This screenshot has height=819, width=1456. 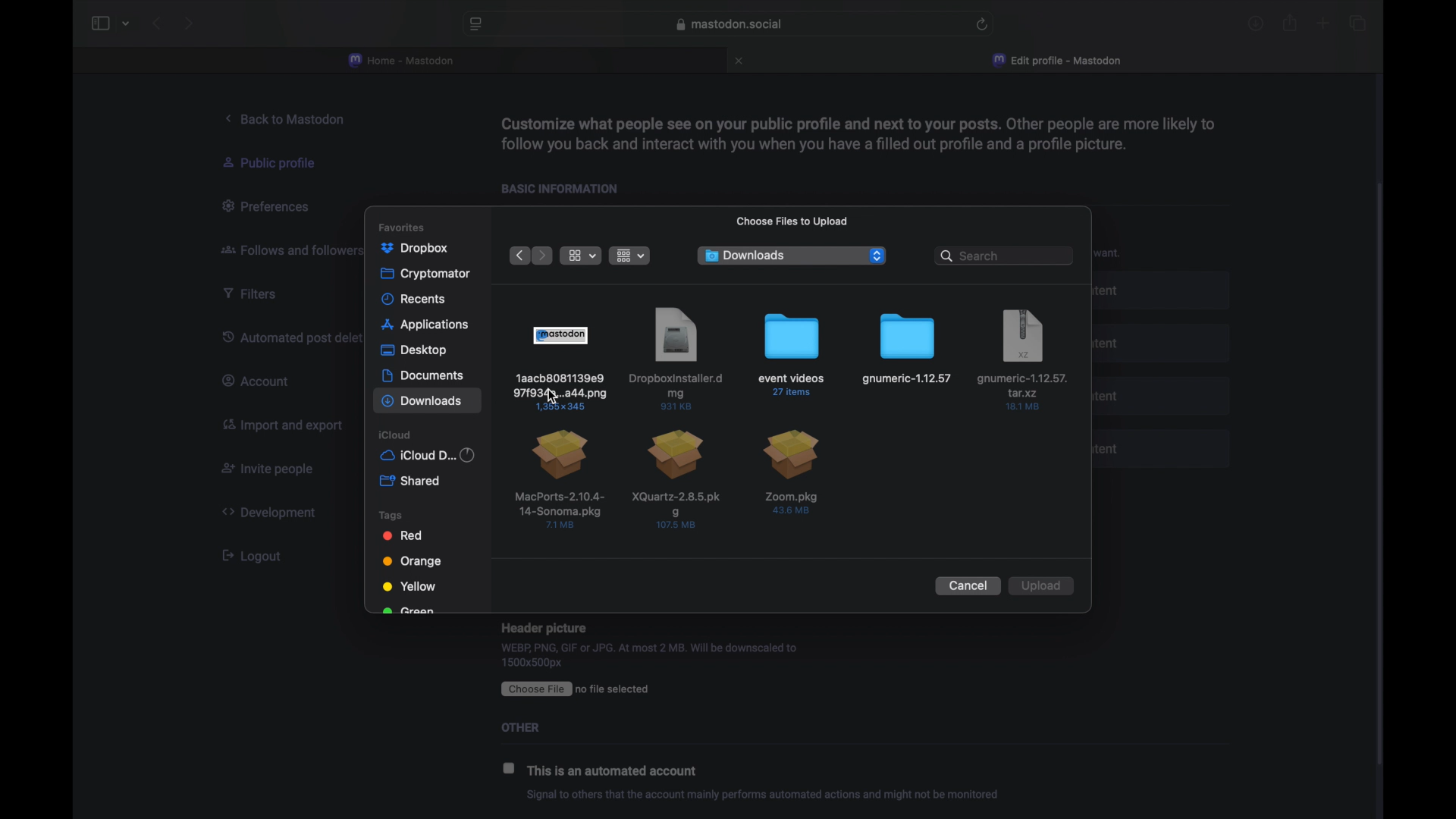 What do you see at coordinates (426, 325) in the screenshot?
I see `applications` at bounding box center [426, 325].